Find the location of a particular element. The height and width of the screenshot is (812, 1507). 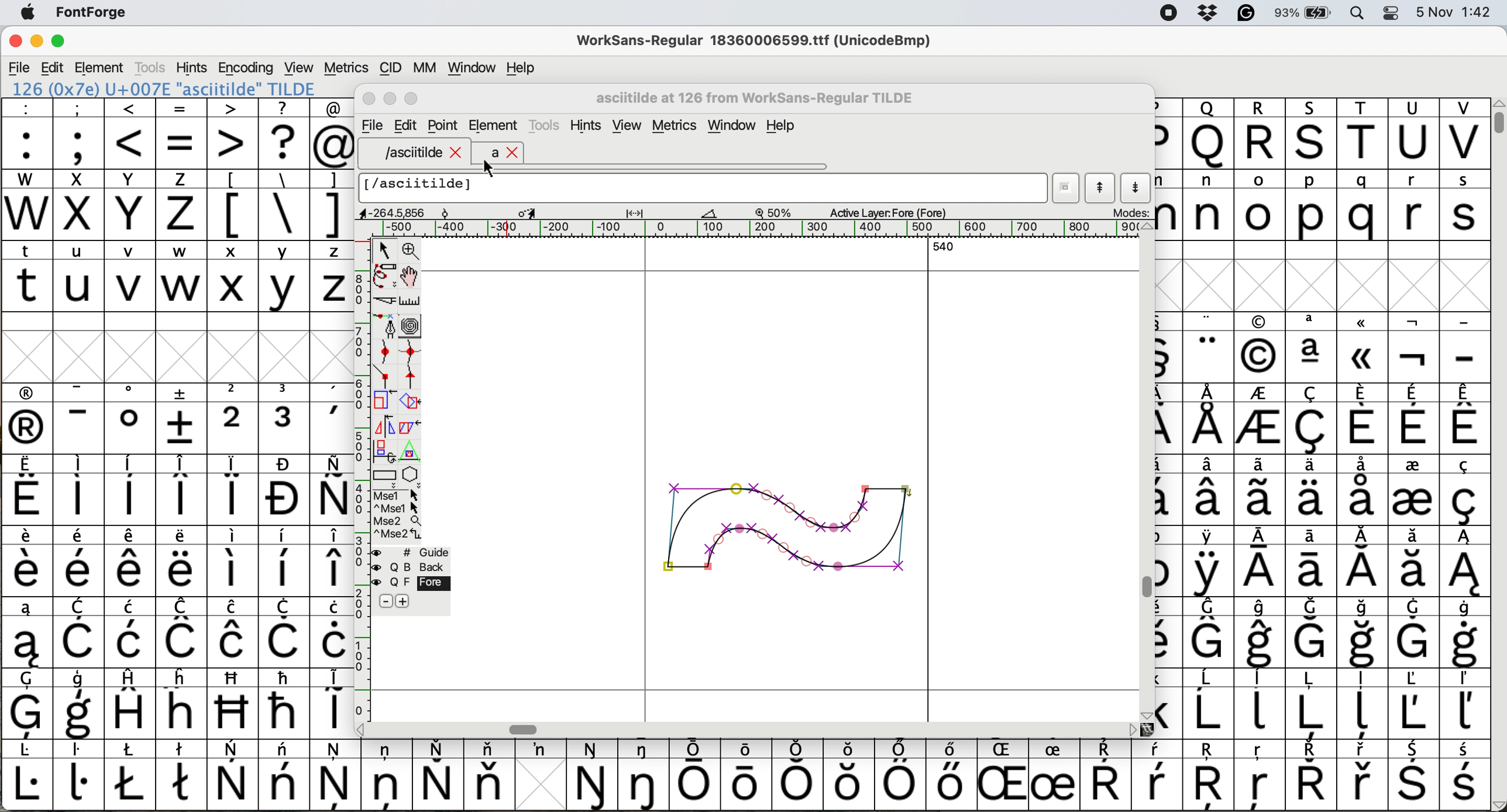

symbol is located at coordinates (749, 773).